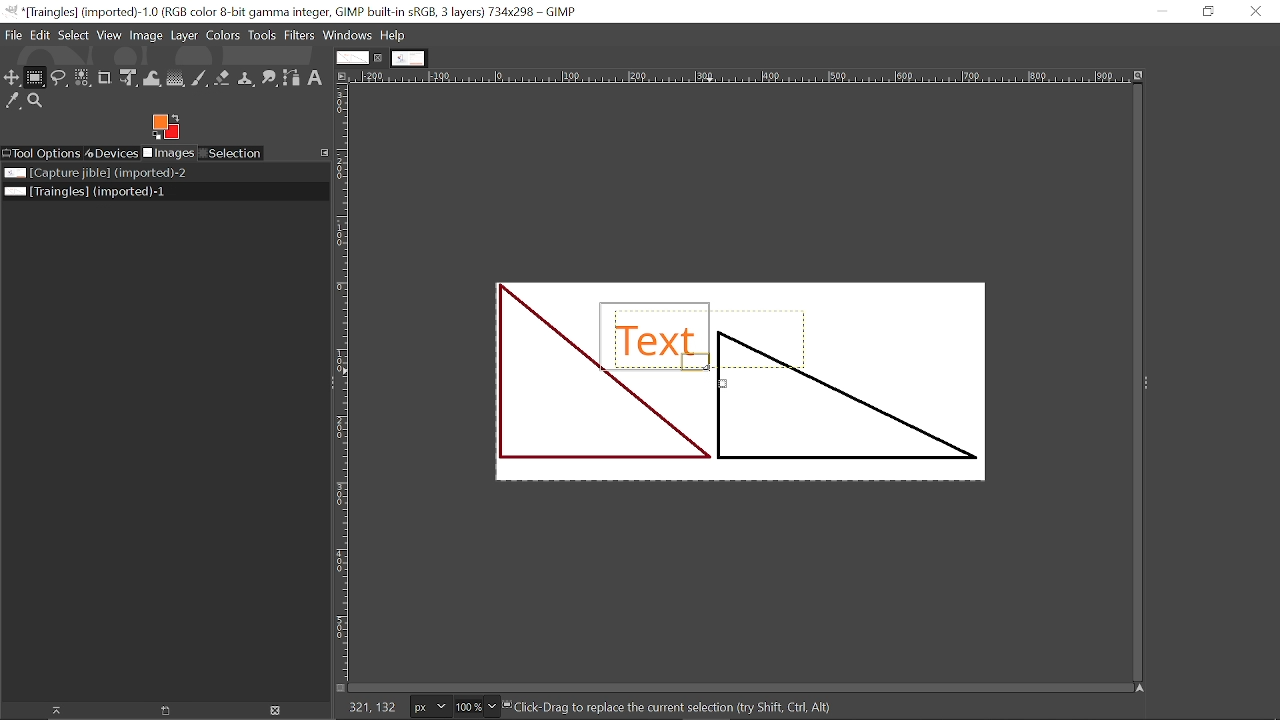 This screenshot has height=720, width=1280. What do you see at coordinates (324, 152) in the screenshot?
I see `Configure this tab` at bounding box center [324, 152].